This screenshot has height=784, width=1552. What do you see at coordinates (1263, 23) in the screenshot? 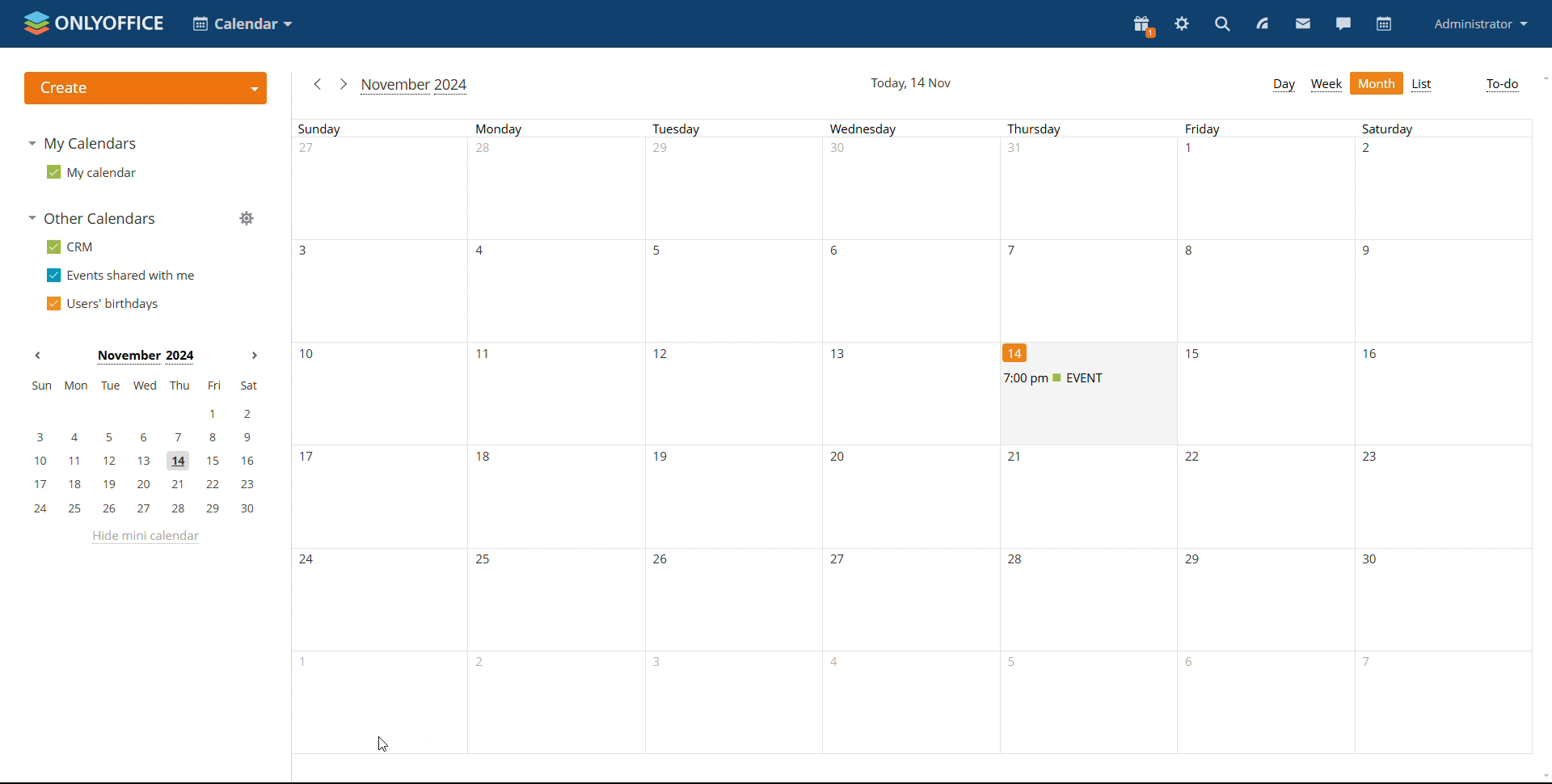
I see `feed` at bounding box center [1263, 23].